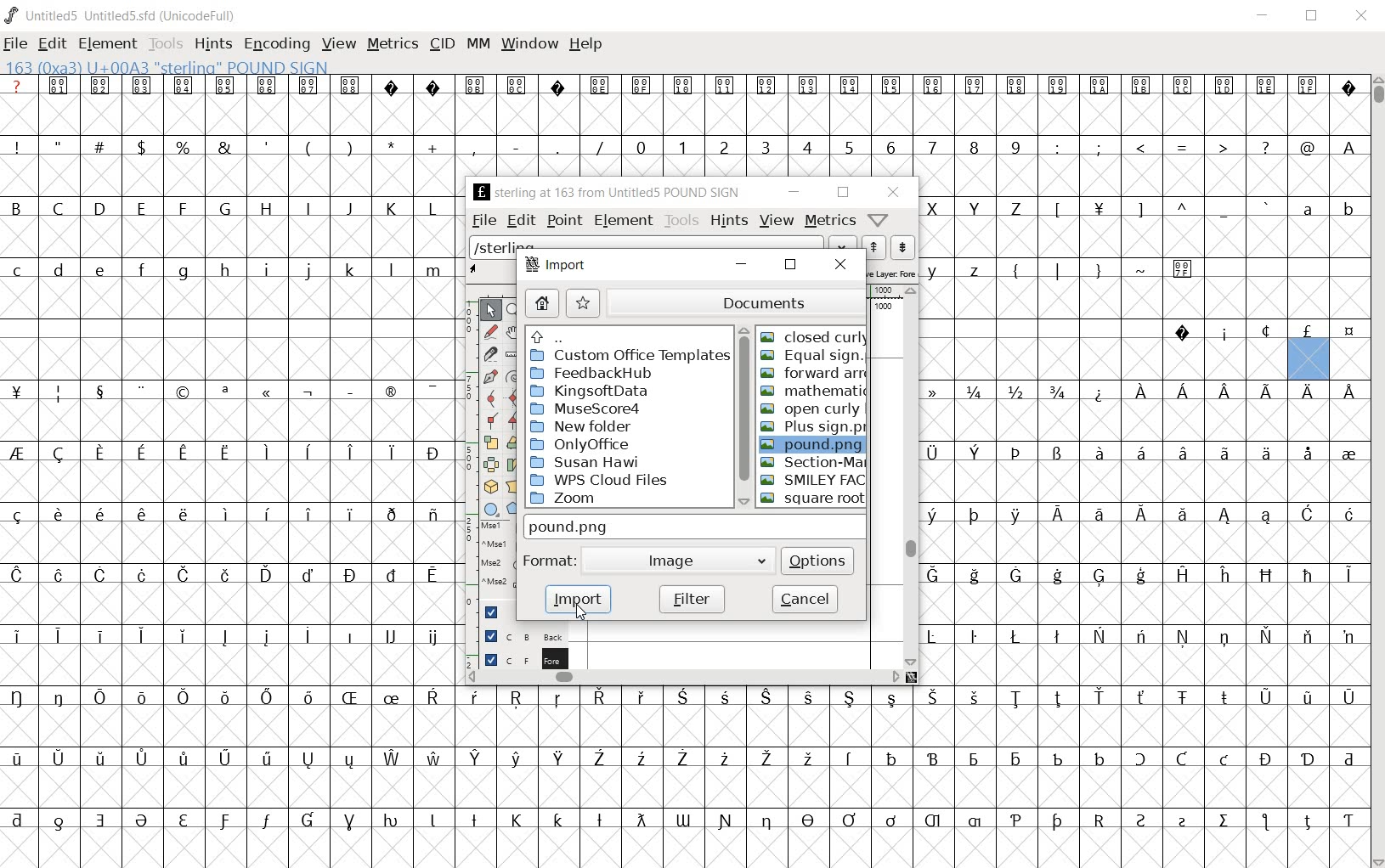  I want to click on Symbol, so click(478, 697).